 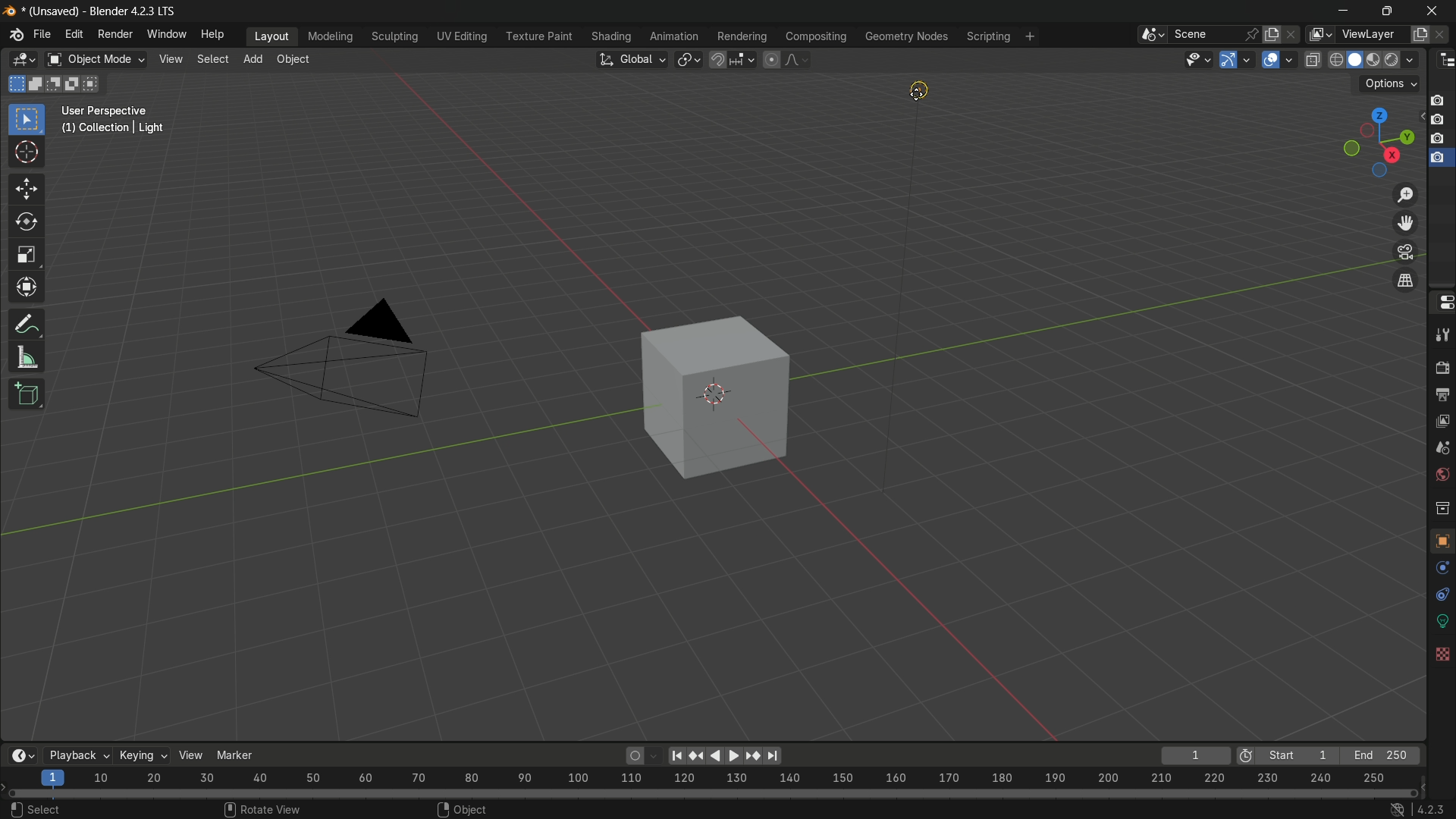 What do you see at coordinates (24, 753) in the screenshot?
I see `timeline` at bounding box center [24, 753].